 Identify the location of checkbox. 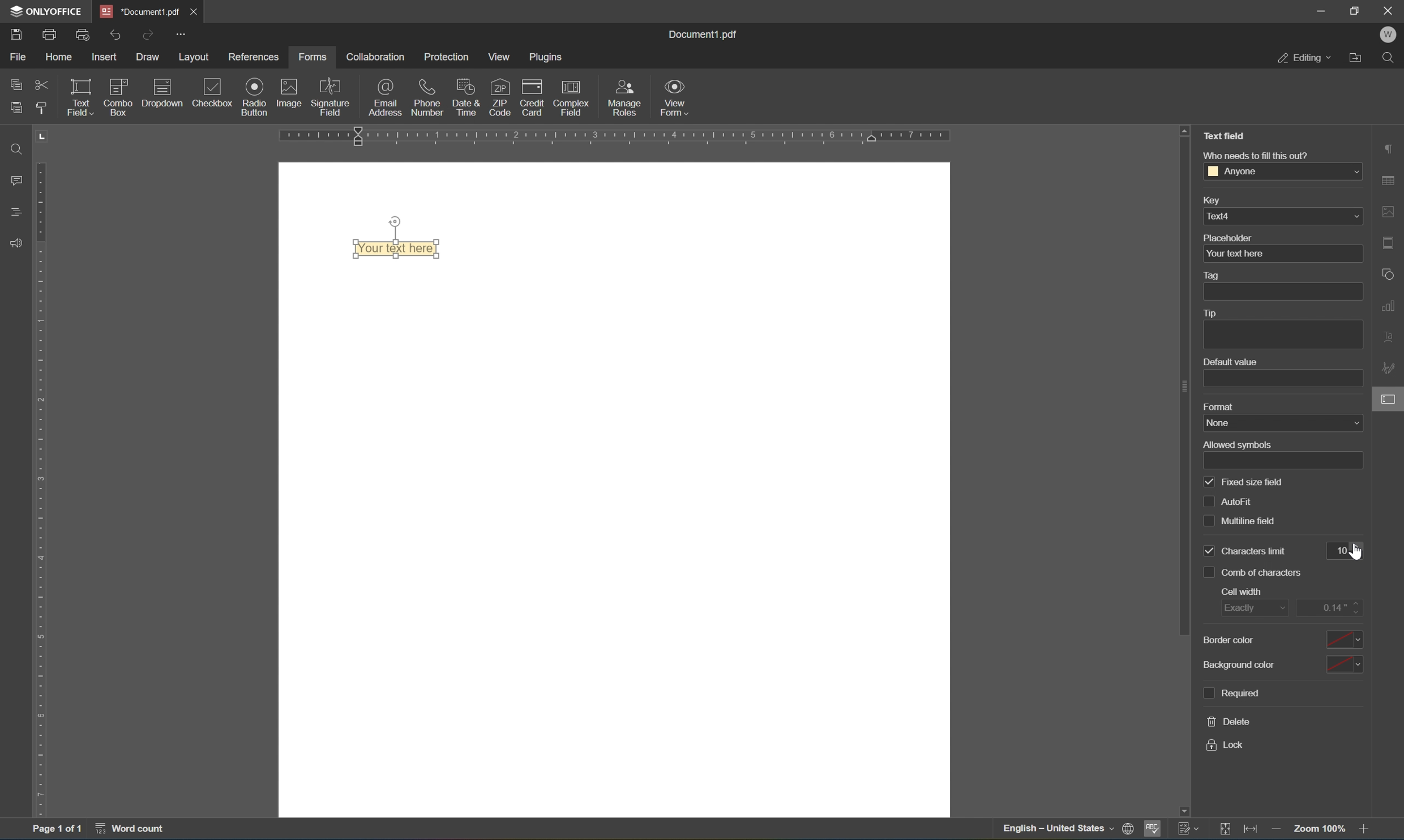
(1209, 501).